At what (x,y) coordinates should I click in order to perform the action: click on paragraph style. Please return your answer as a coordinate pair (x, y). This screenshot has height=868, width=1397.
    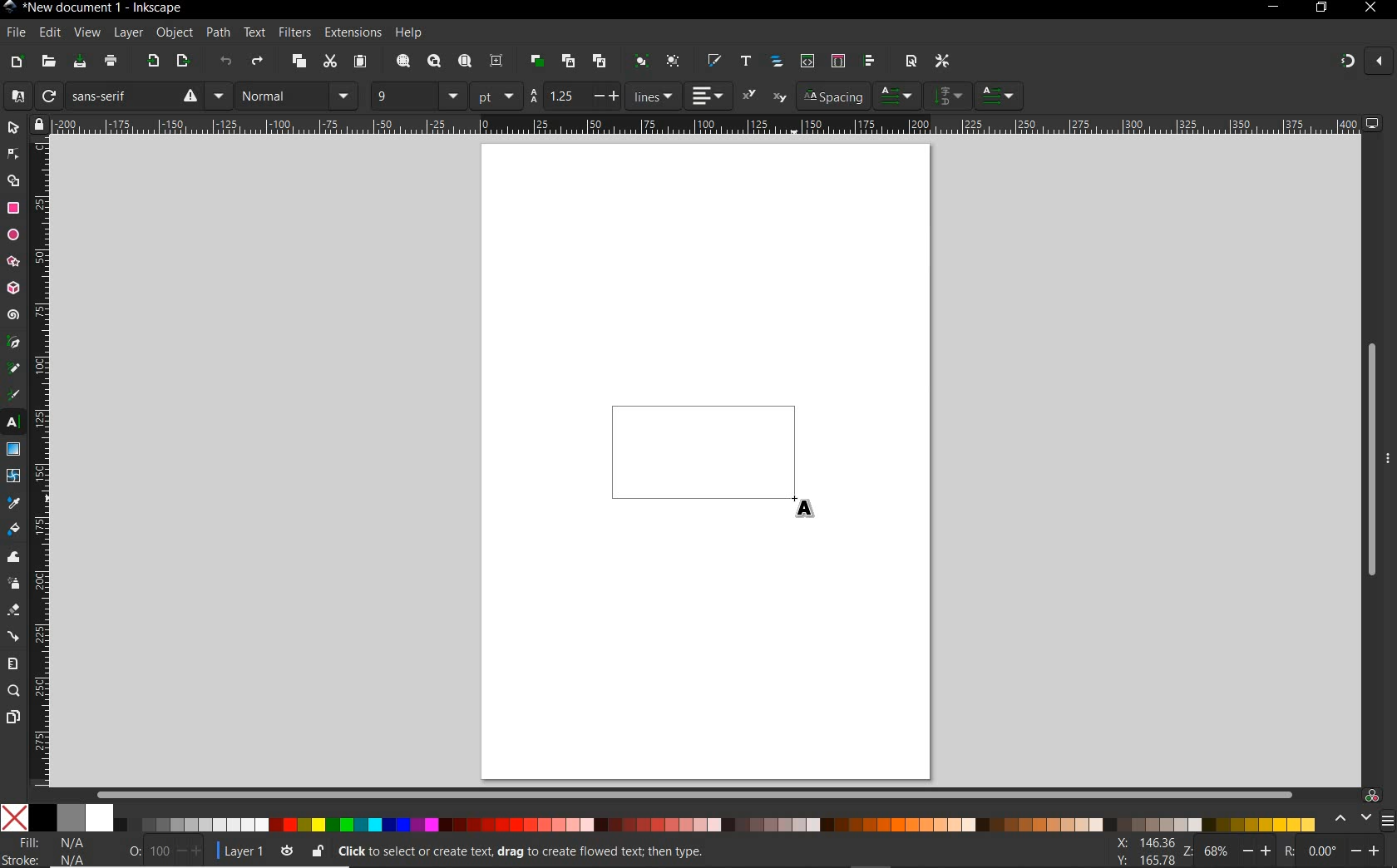
    Looking at the image, I should click on (1000, 96).